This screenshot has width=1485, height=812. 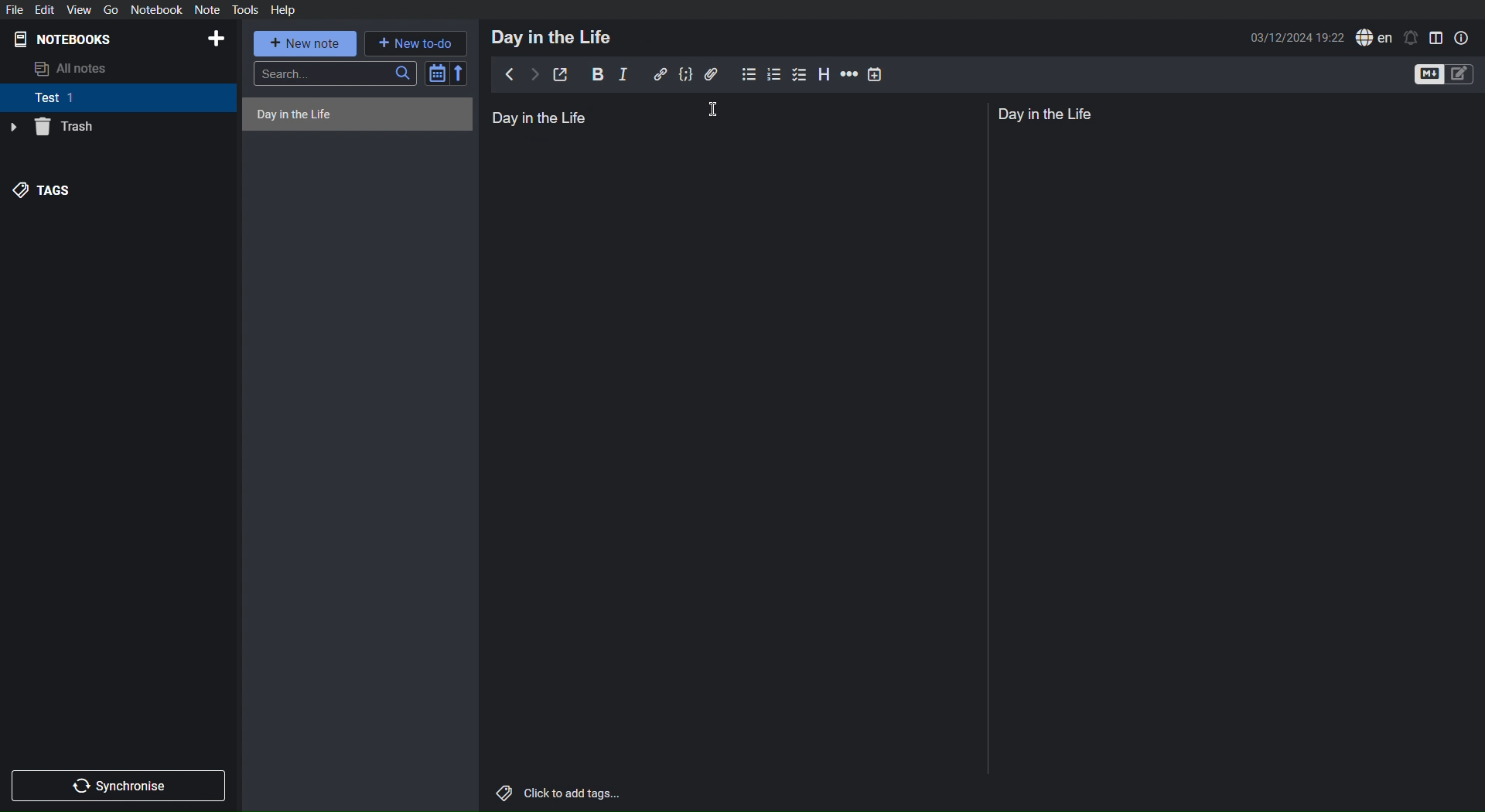 I want to click on Tags, so click(x=43, y=191).